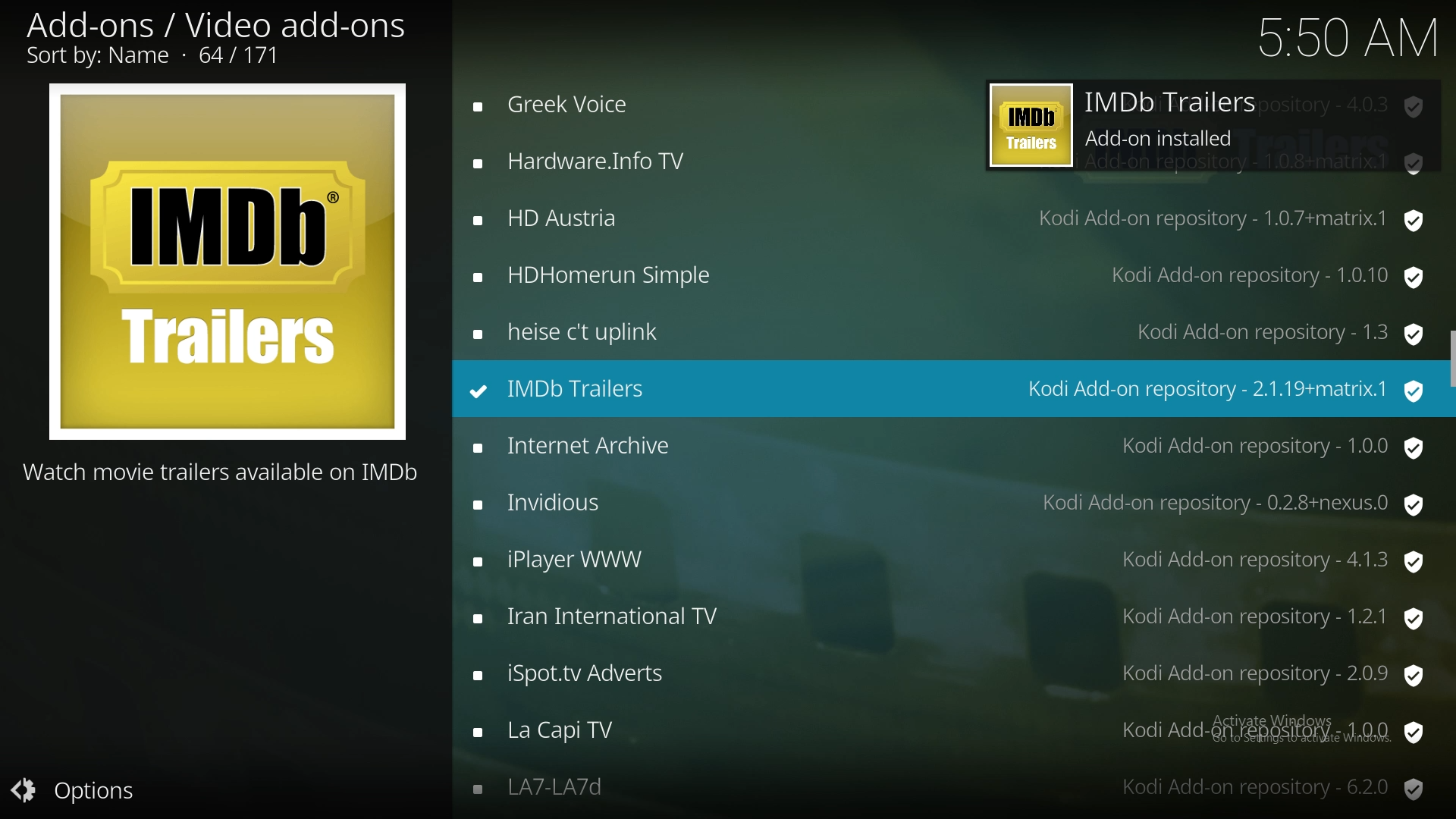 Image resolution: width=1456 pixels, height=819 pixels. I want to click on scroll bar, so click(1450, 367).